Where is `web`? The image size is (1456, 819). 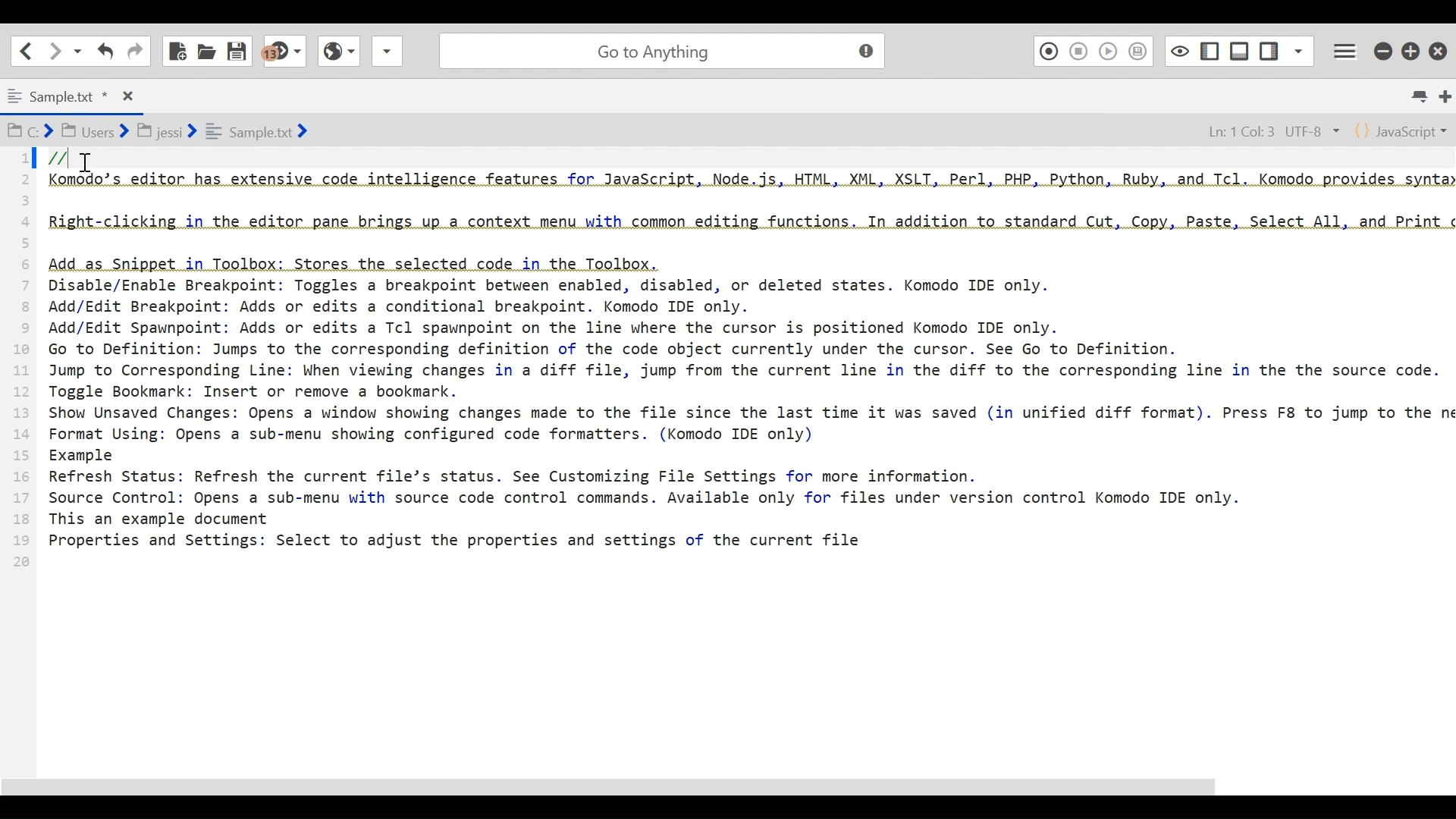 web is located at coordinates (337, 55).